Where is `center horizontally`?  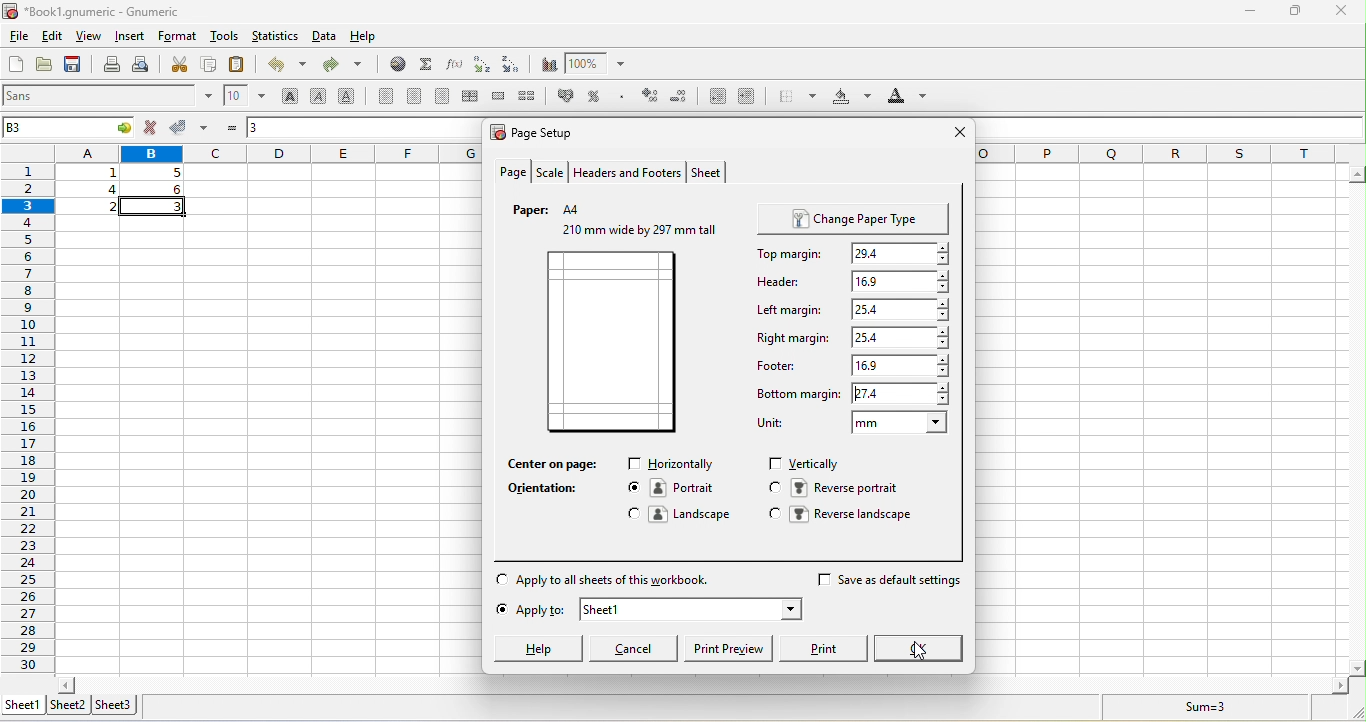 center horizontally is located at coordinates (473, 97).